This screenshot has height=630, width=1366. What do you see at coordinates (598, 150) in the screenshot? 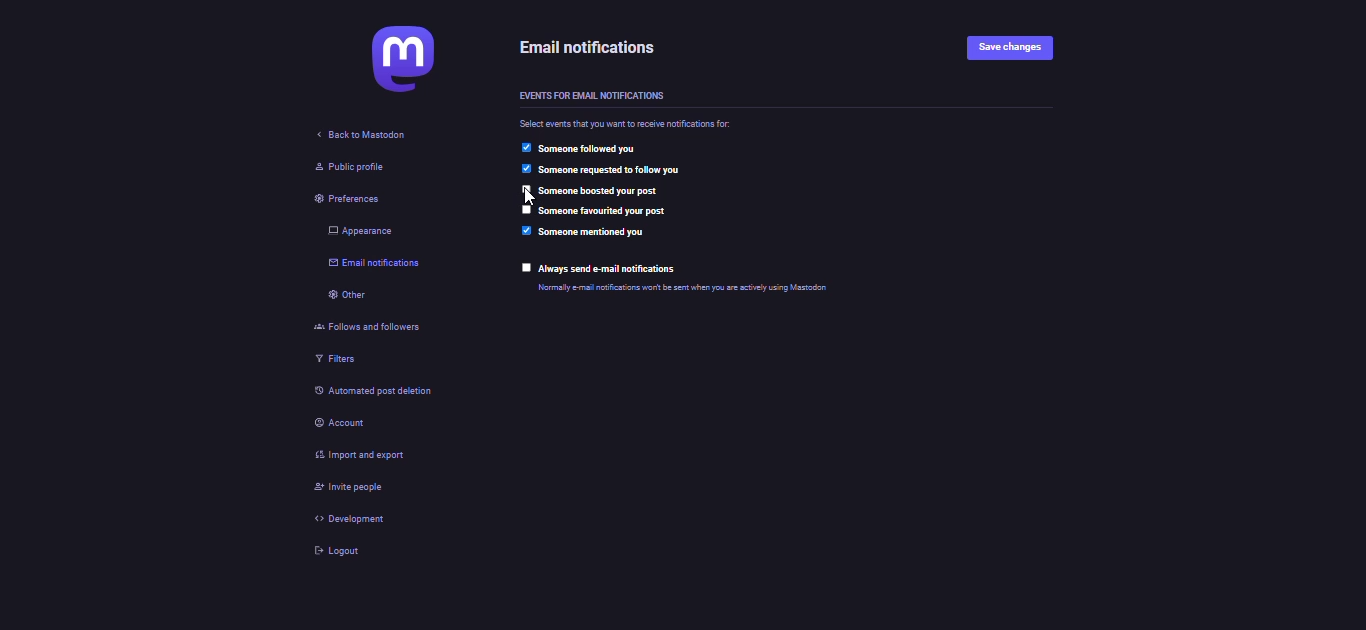
I see `someone followed you` at bounding box center [598, 150].